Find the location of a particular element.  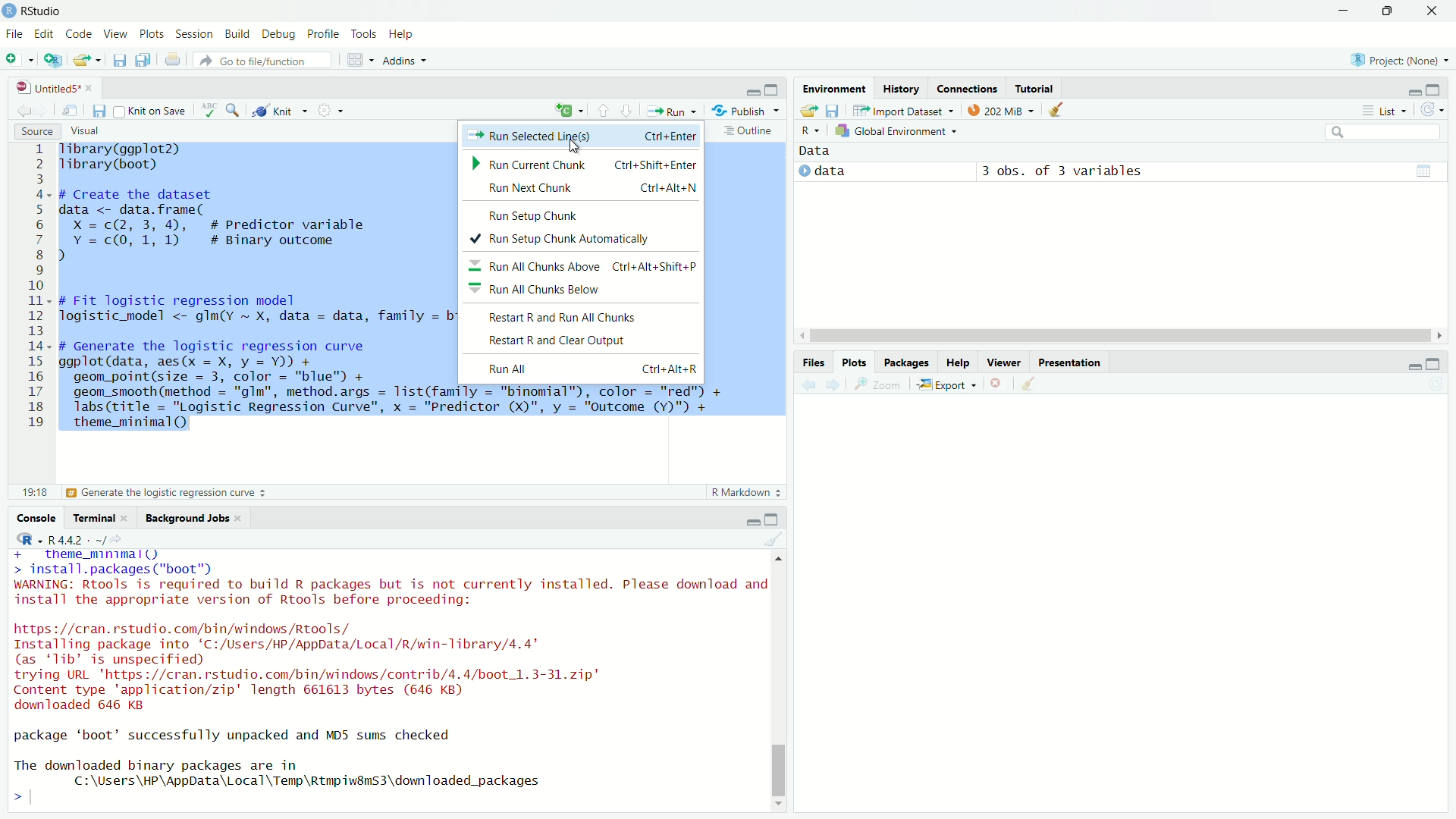

restore is located at coordinates (1389, 11).